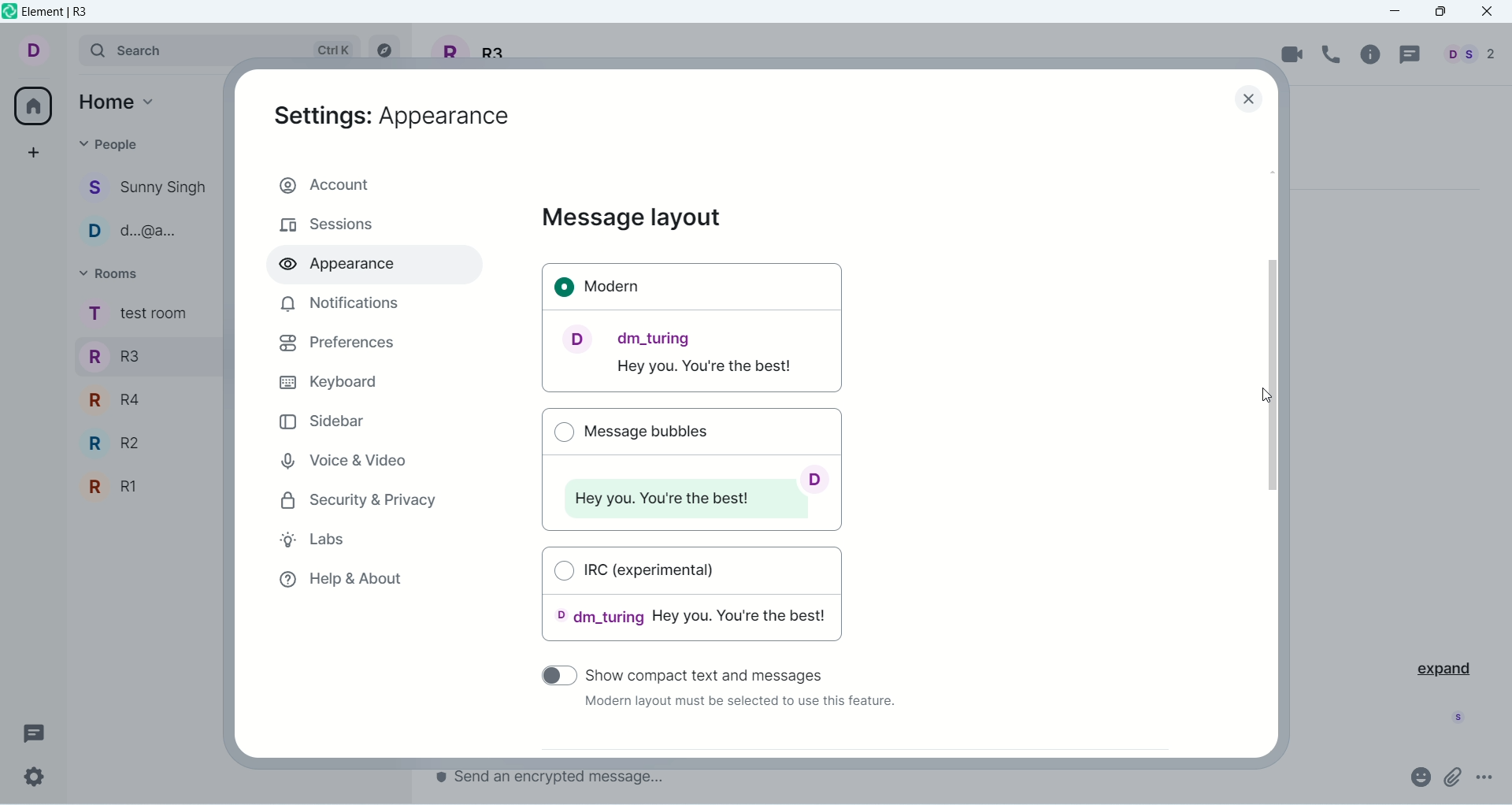 Image resolution: width=1512 pixels, height=805 pixels. Describe the element at coordinates (321, 542) in the screenshot. I see `labs` at that location.